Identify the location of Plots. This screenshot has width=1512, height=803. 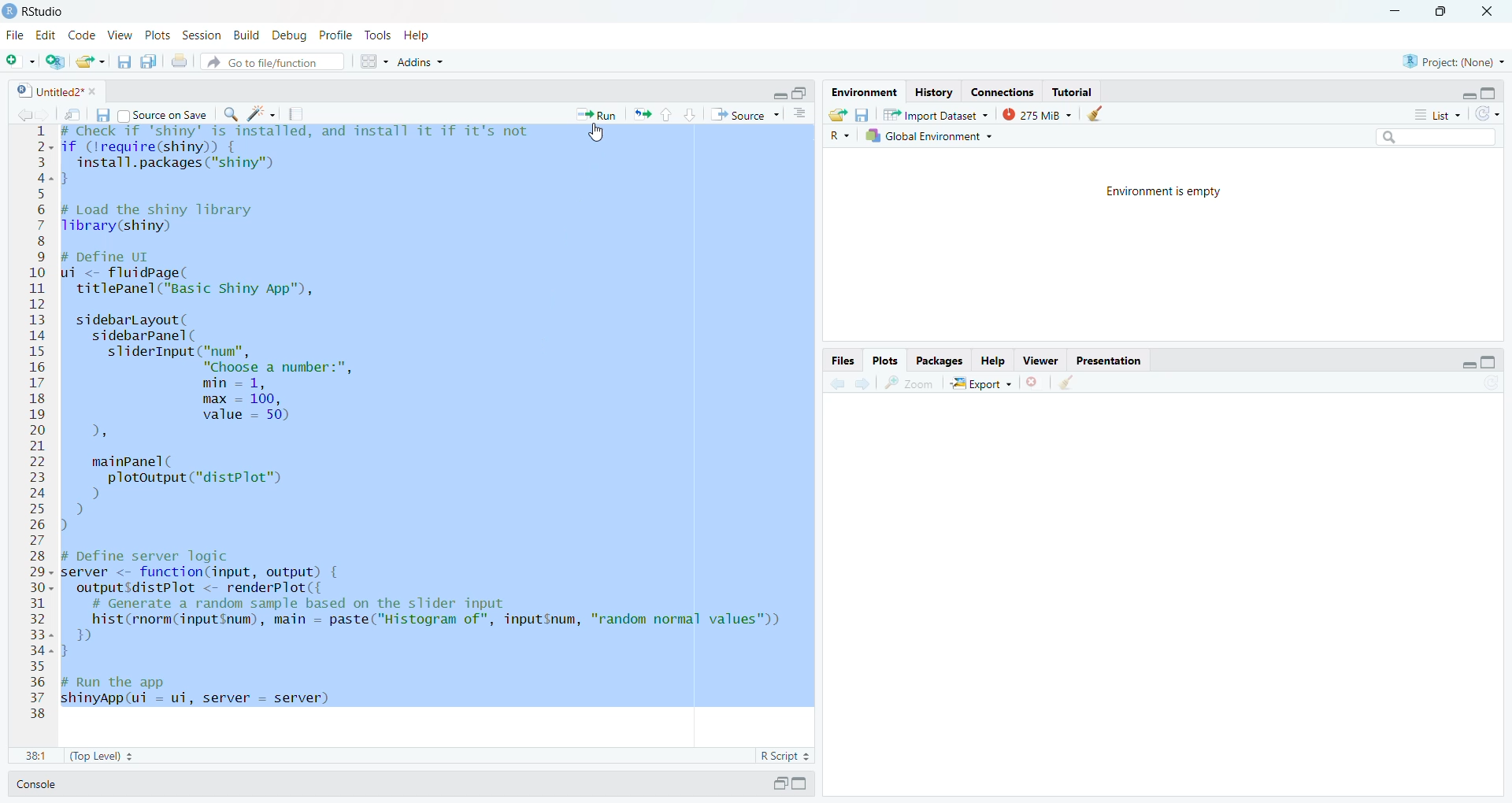
(884, 361).